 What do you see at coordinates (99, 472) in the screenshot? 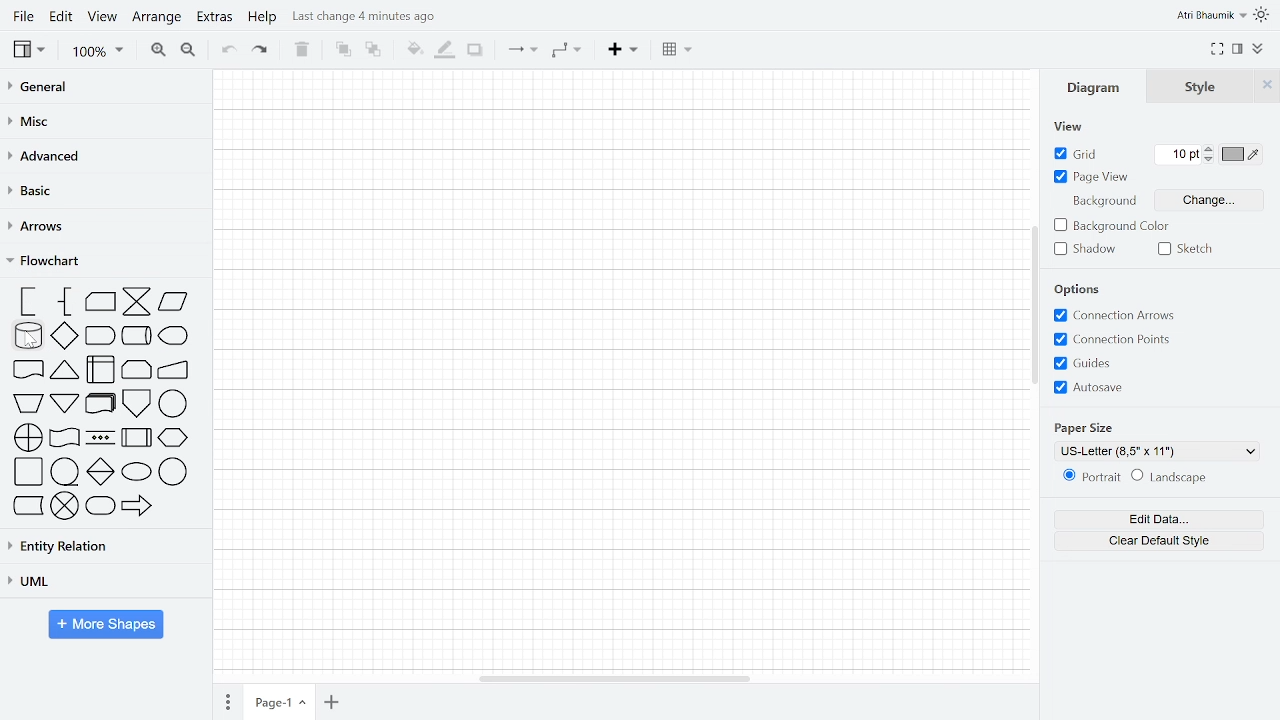
I see `sort` at bounding box center [99, 472].